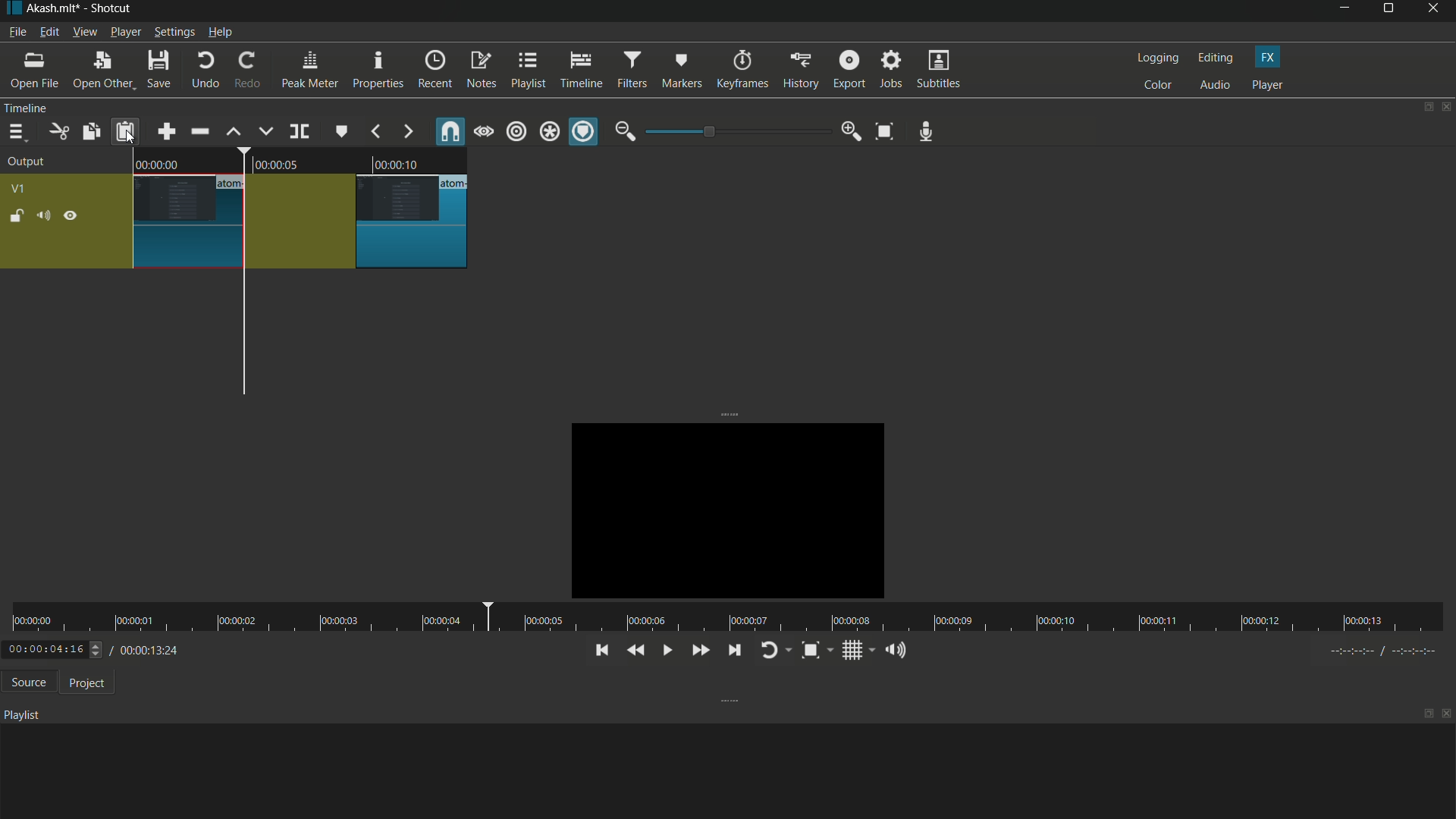 This screenshot has width=1456, height=819. What do you see at coordinates (1436, 11) in the screenshot?
I see `close app` at bounding box center [1436, 11].